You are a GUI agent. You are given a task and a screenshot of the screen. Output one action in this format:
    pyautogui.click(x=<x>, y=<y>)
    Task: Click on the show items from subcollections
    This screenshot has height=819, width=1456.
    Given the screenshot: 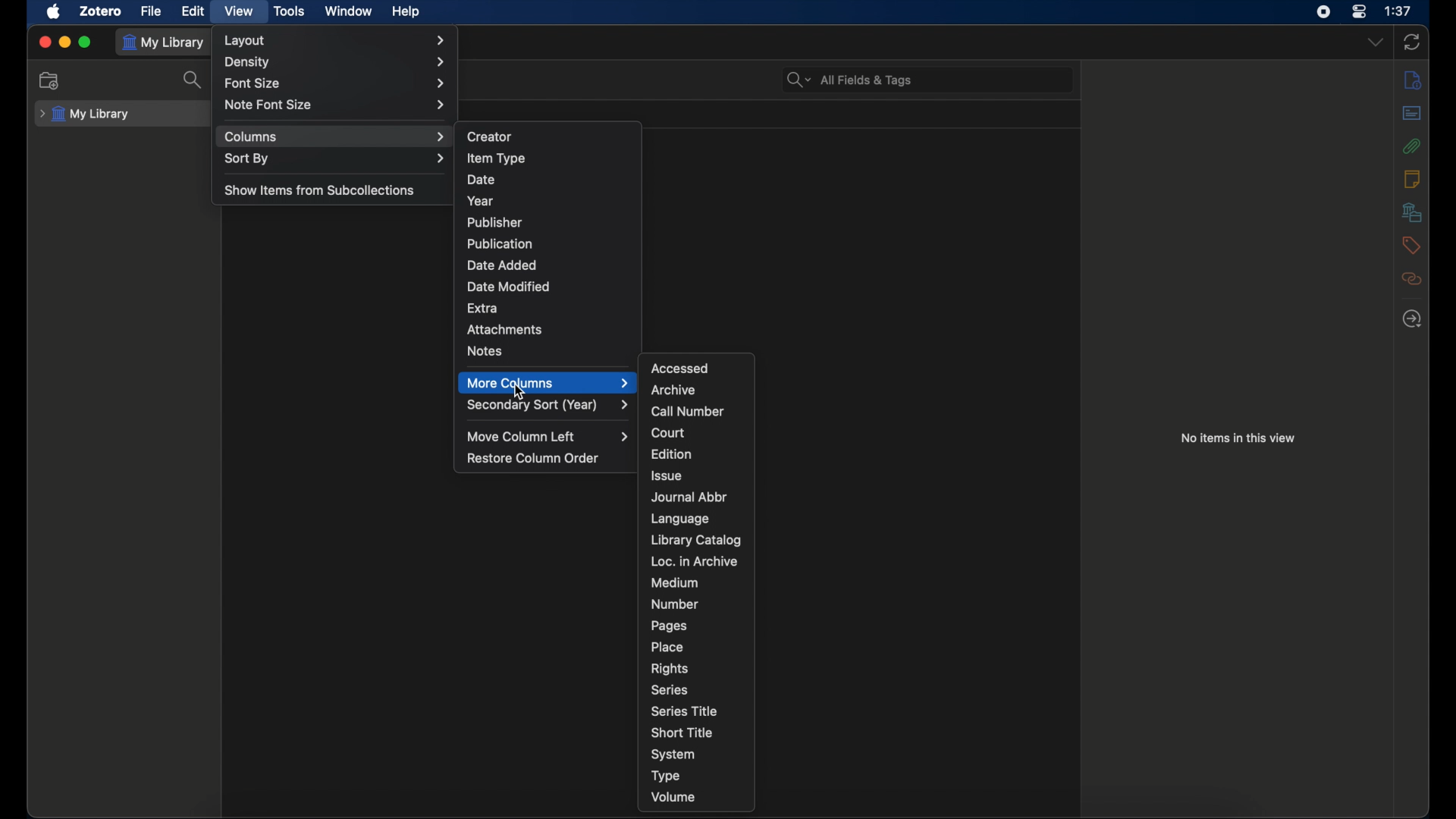 What is the action you would take?
    pyautogui.click(x=320, y=190)
    